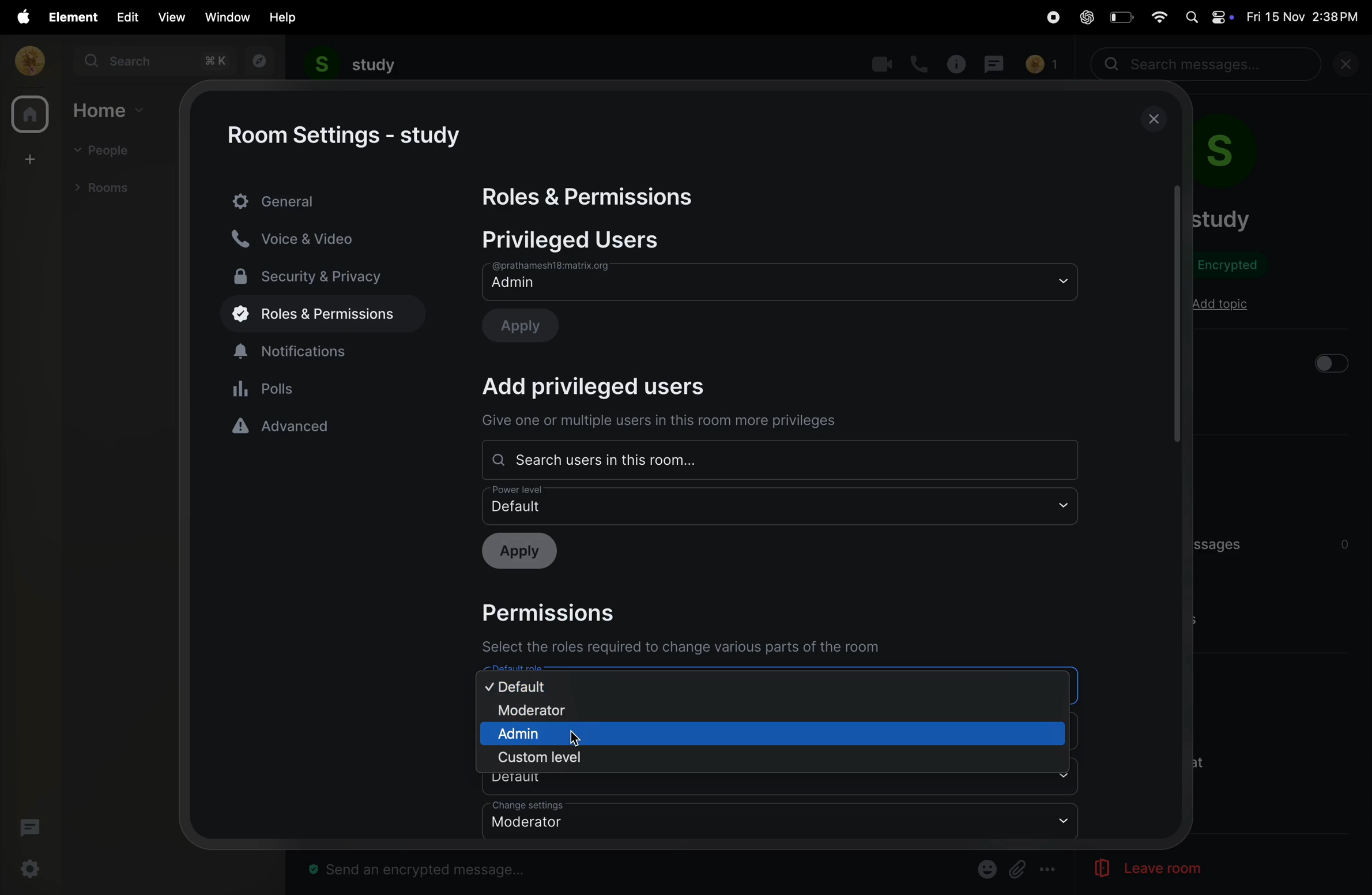 The height and width of the screenshot is (895, 1372). Describe the element at coordinates (1041, 65) in the screenshot. I see `no of people` at that location.